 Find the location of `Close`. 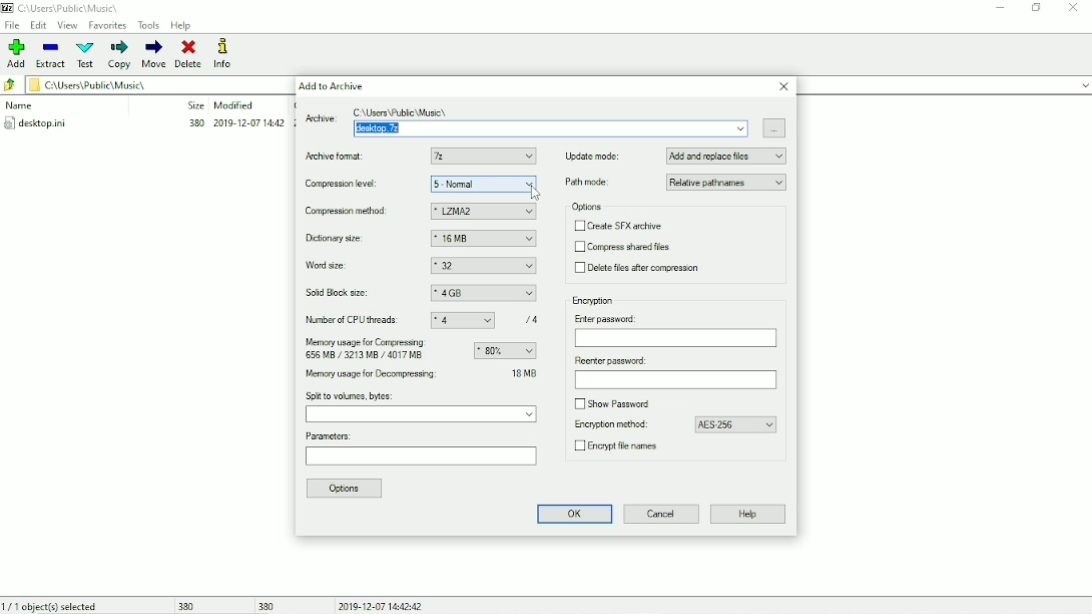

Close is located at coordinates (1075, 9).